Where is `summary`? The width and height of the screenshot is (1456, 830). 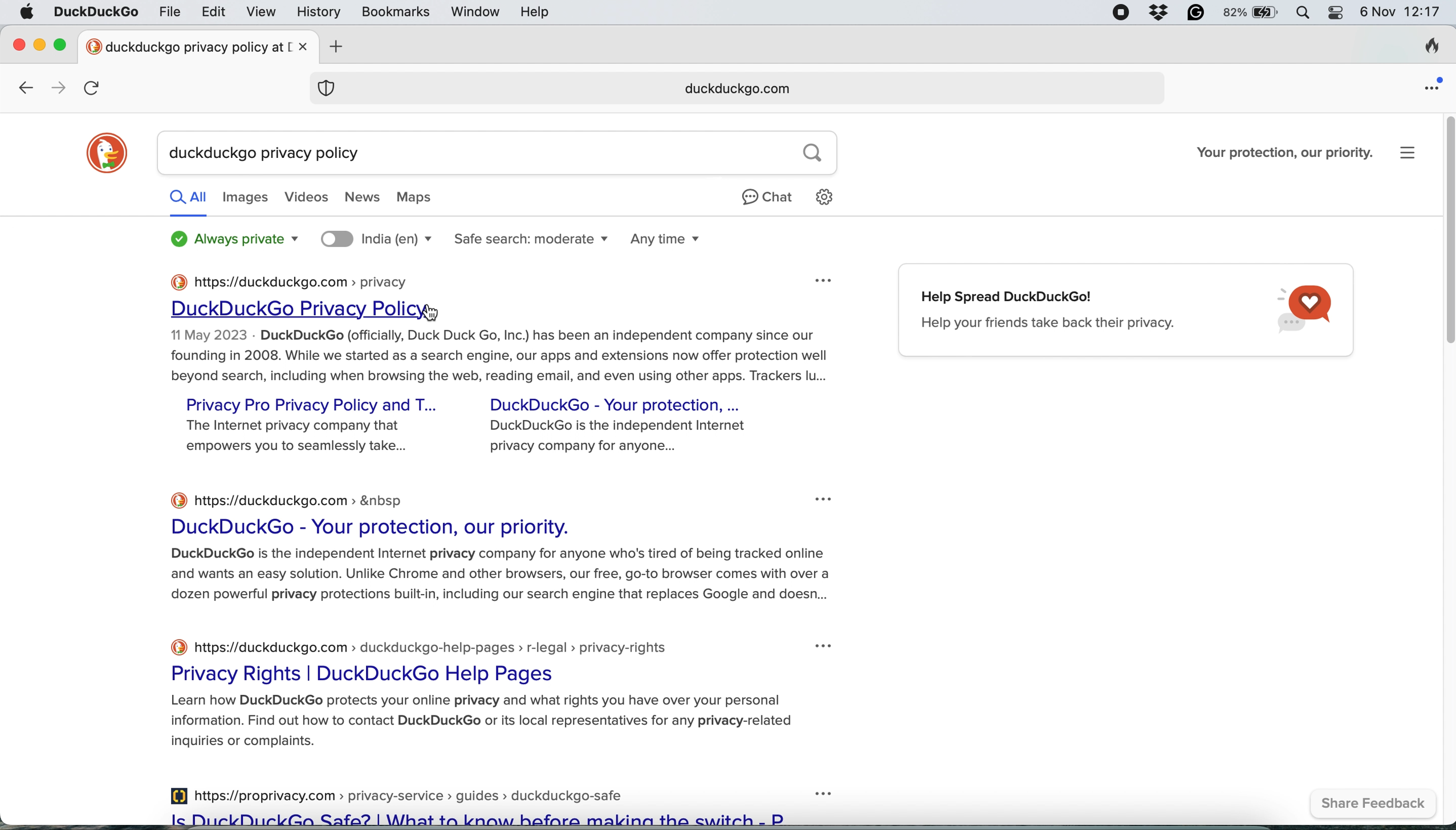 summary is located at coordinates (494, 722).